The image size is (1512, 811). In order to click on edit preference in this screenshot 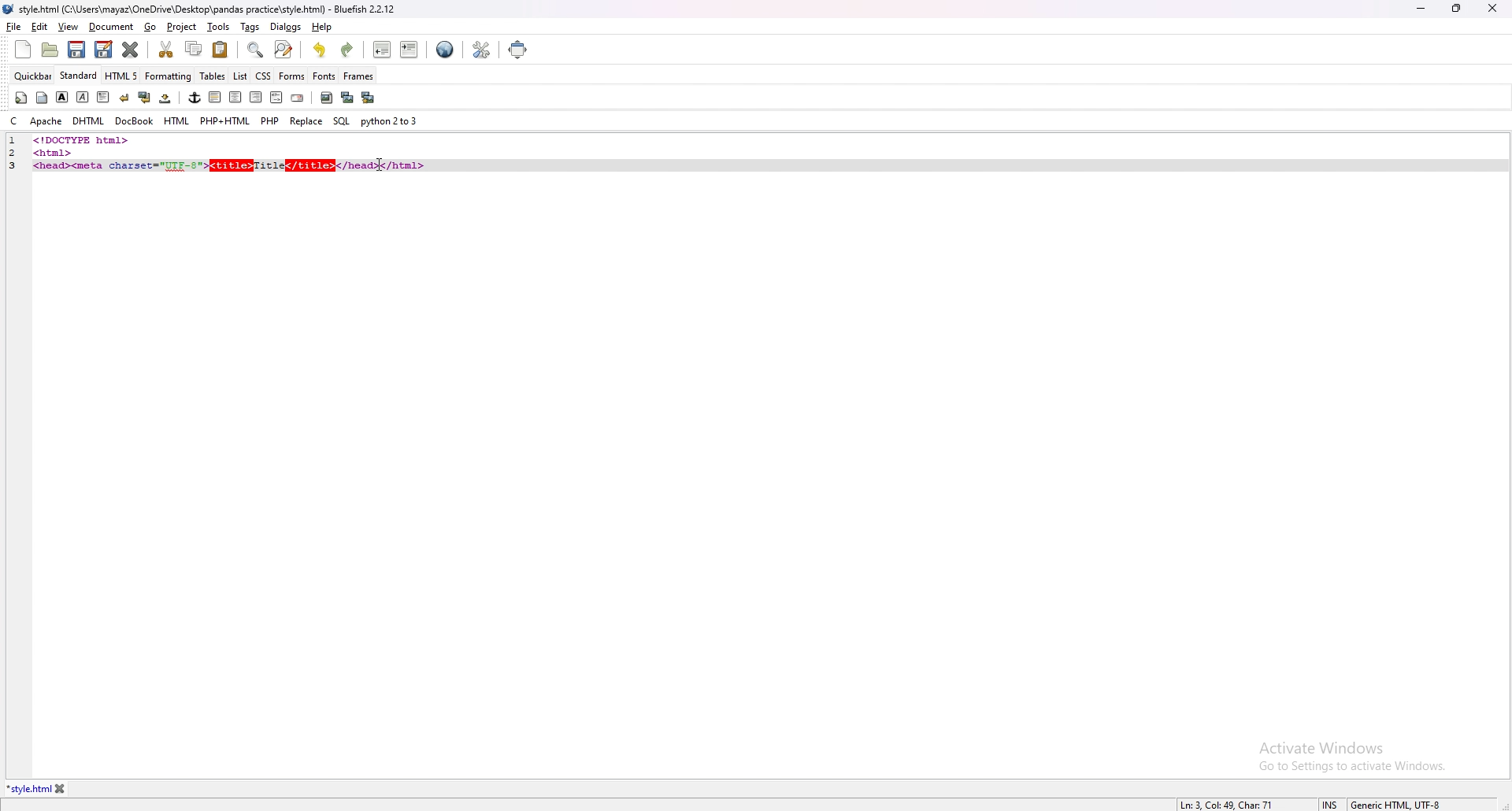, I will do `click(480, 49)`.